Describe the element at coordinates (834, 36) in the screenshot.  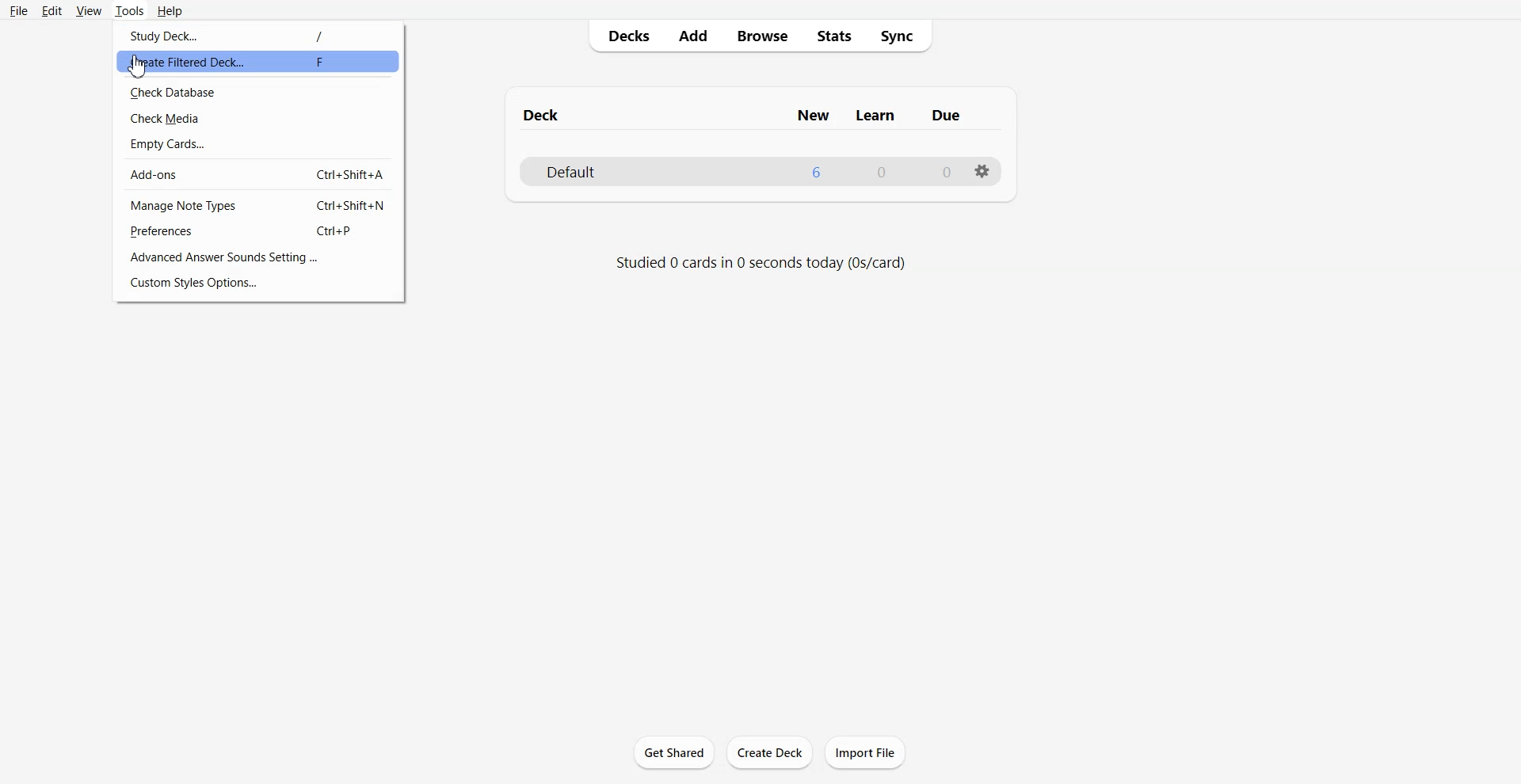
I see `Stats` at that location.